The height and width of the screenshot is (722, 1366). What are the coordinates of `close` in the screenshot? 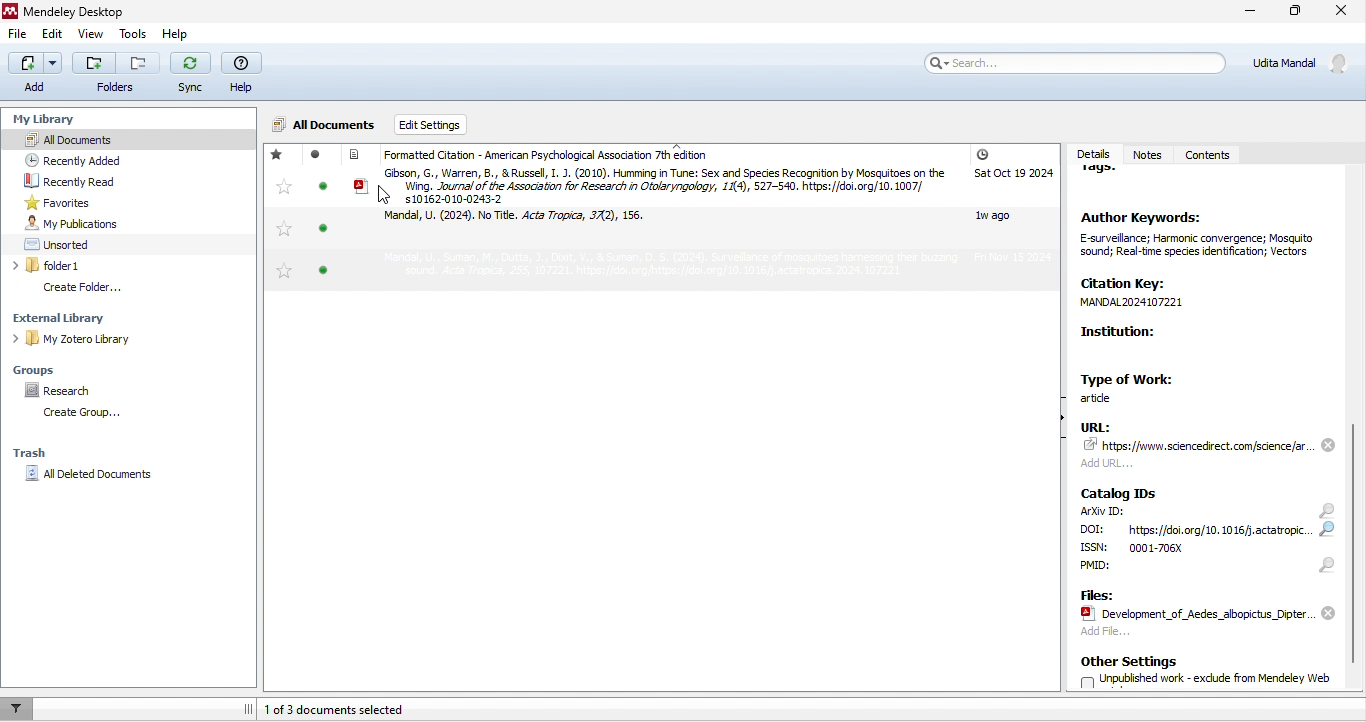 It's located at (1343, 14).